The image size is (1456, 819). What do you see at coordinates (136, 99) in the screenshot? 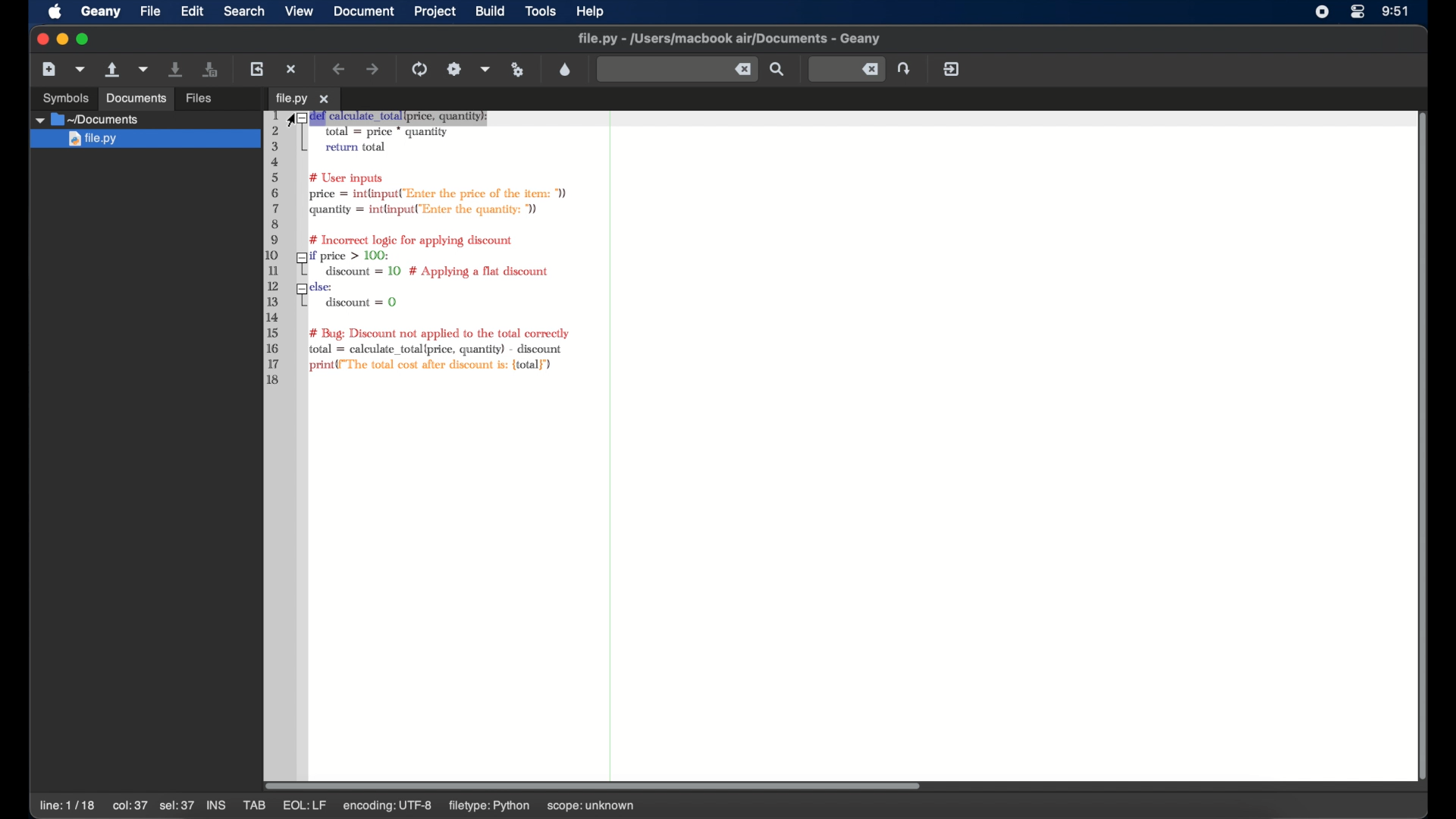
I see `documents` at bounding box center [136, 99].